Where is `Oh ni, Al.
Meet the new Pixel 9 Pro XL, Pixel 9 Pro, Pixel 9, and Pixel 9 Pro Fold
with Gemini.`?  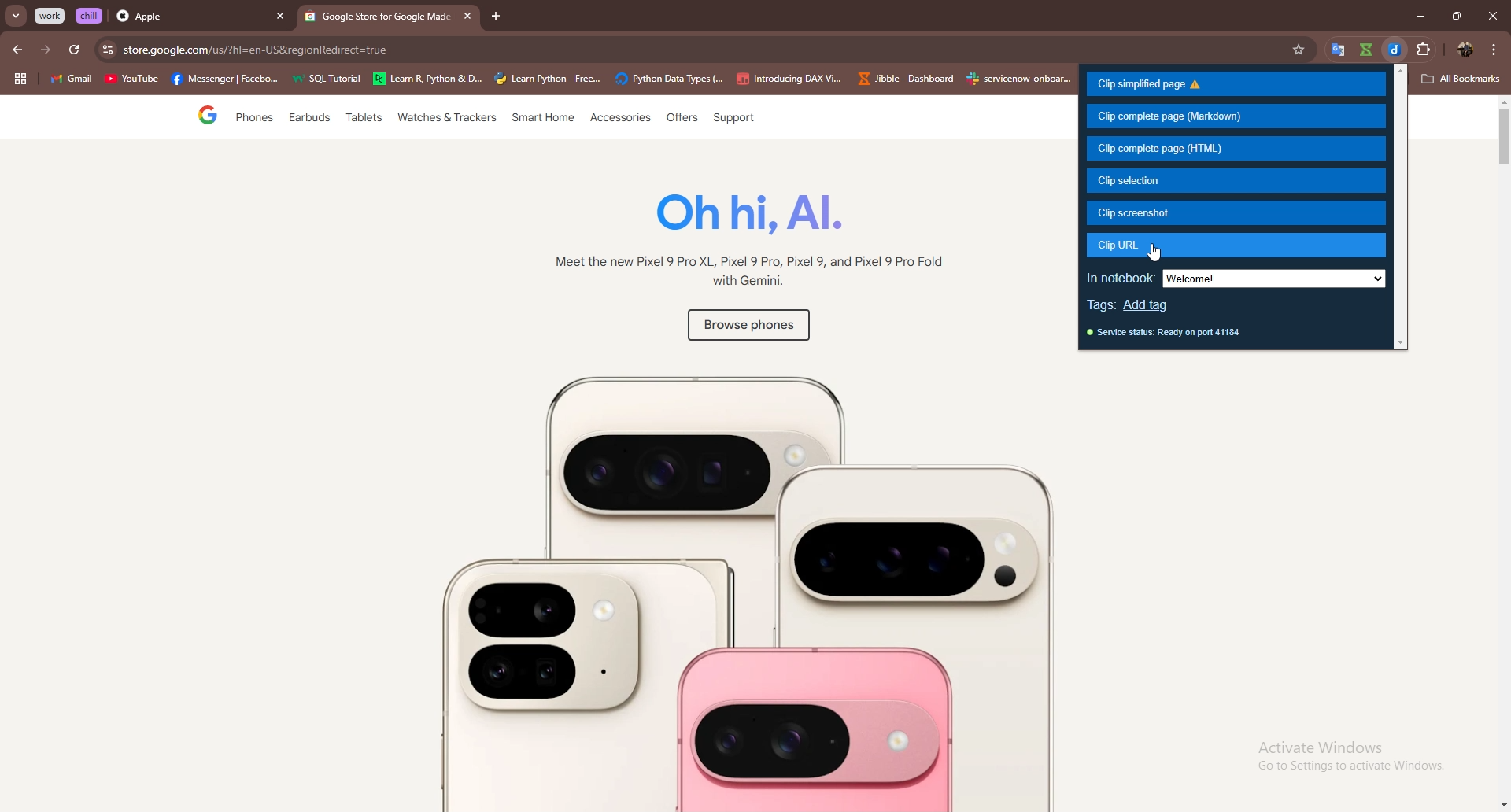
Oh ni, Al.
Meet the new Pixel 9 Pro XL, Pixel 9 Pro, Pixel 9, and Pixel 9 Pro Fold
with Gemini. is located at coordinates (740, 244).